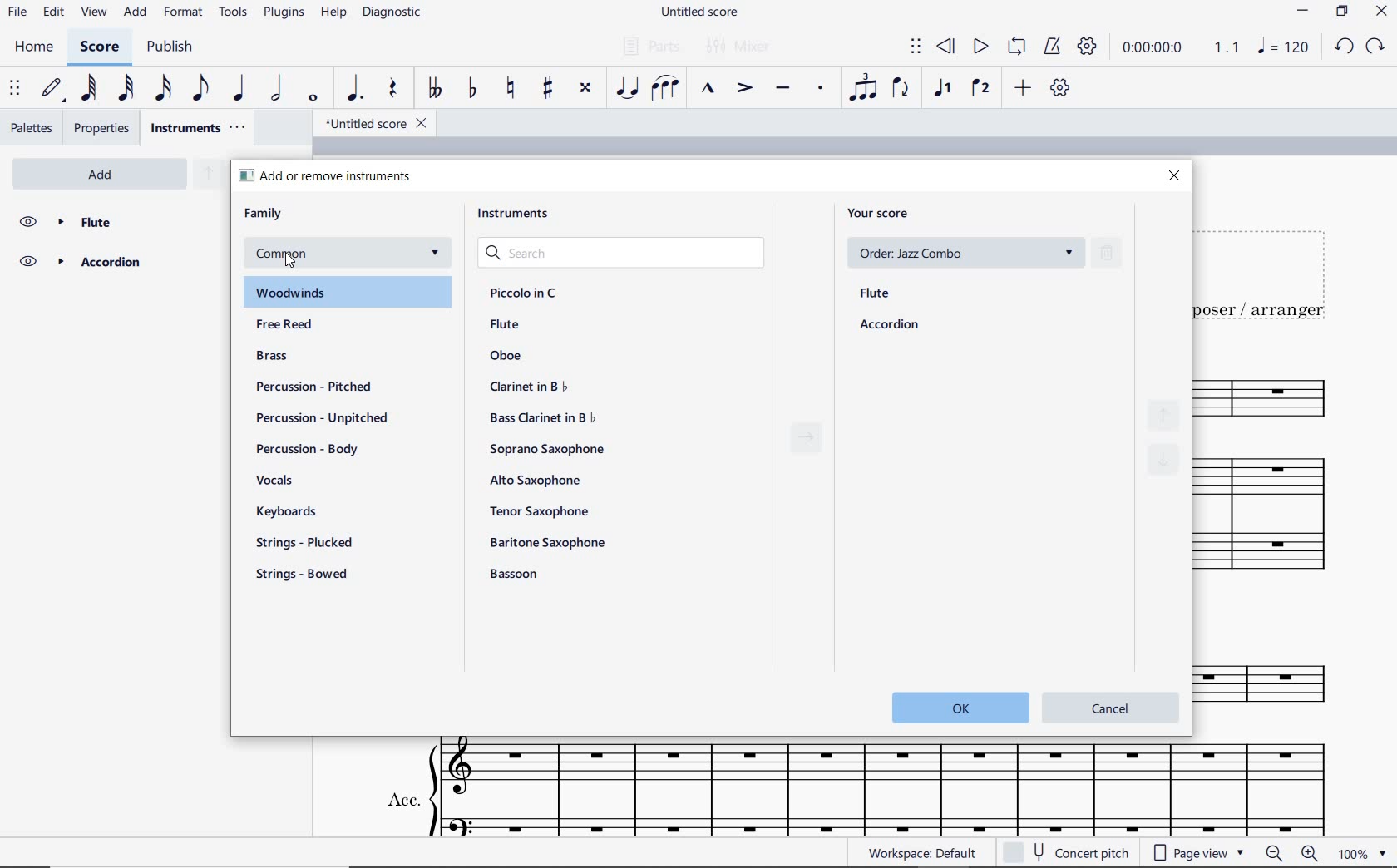 The height and width of the screenshot is (868, 1397). What do you see at coordinates (374, 254) in the screenshot?
I see `common` at bounding box center [374, 254].